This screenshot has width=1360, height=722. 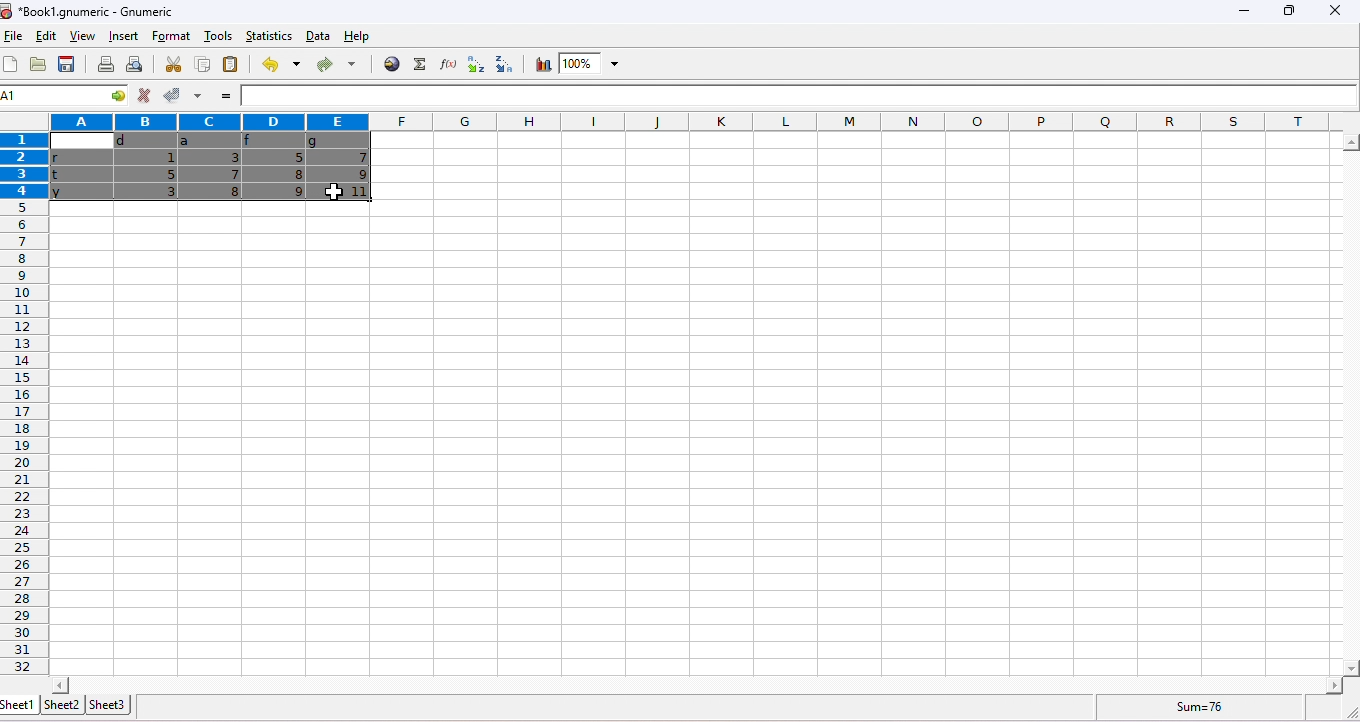 What do you see at coordinates (445, 64) in the screenshot?
I see `function wizard` at bounding box center [445, 64].